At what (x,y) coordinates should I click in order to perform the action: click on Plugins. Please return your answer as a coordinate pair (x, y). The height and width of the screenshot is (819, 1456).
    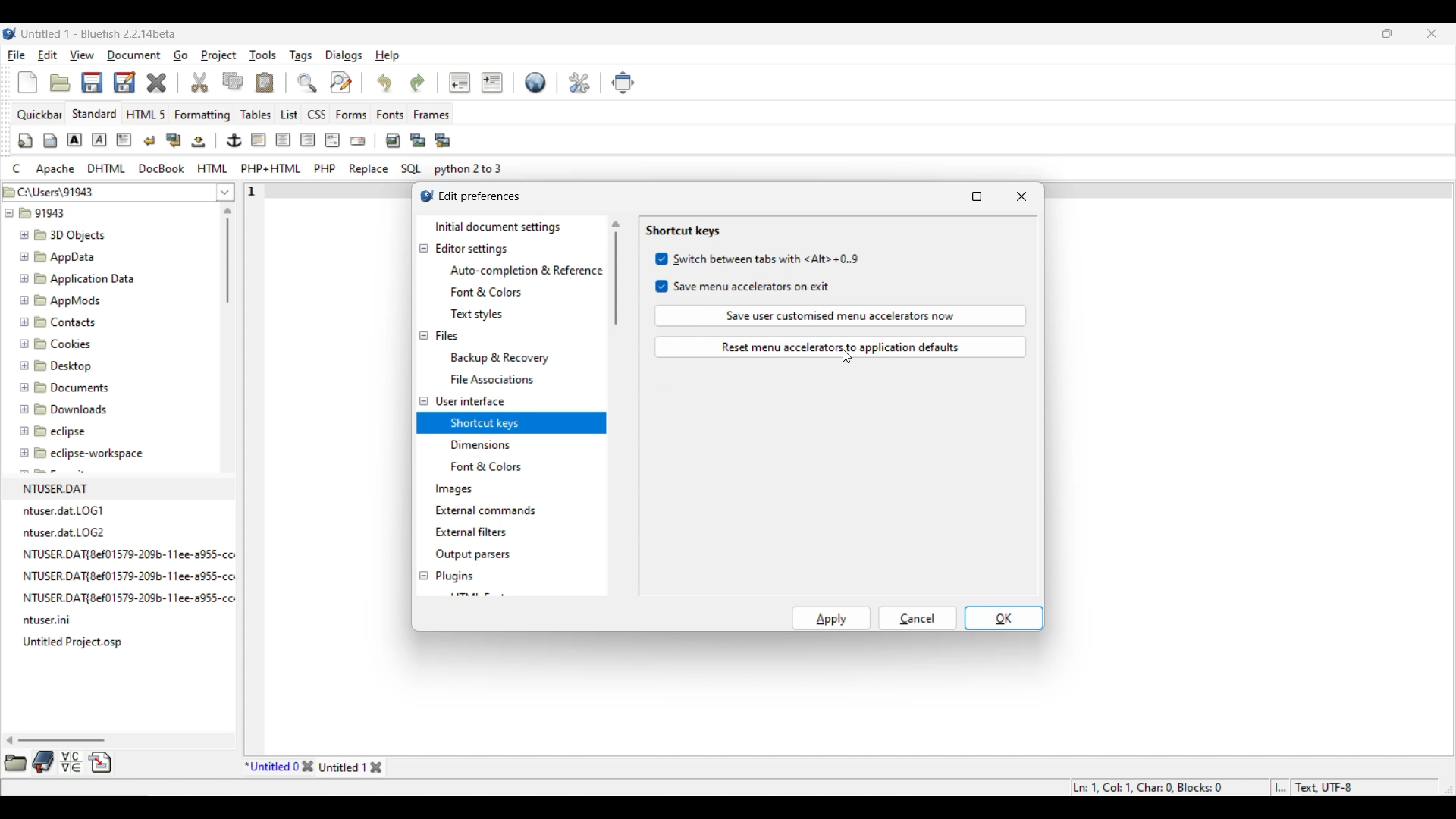
    Looking at the image, I should click on (455, 576).